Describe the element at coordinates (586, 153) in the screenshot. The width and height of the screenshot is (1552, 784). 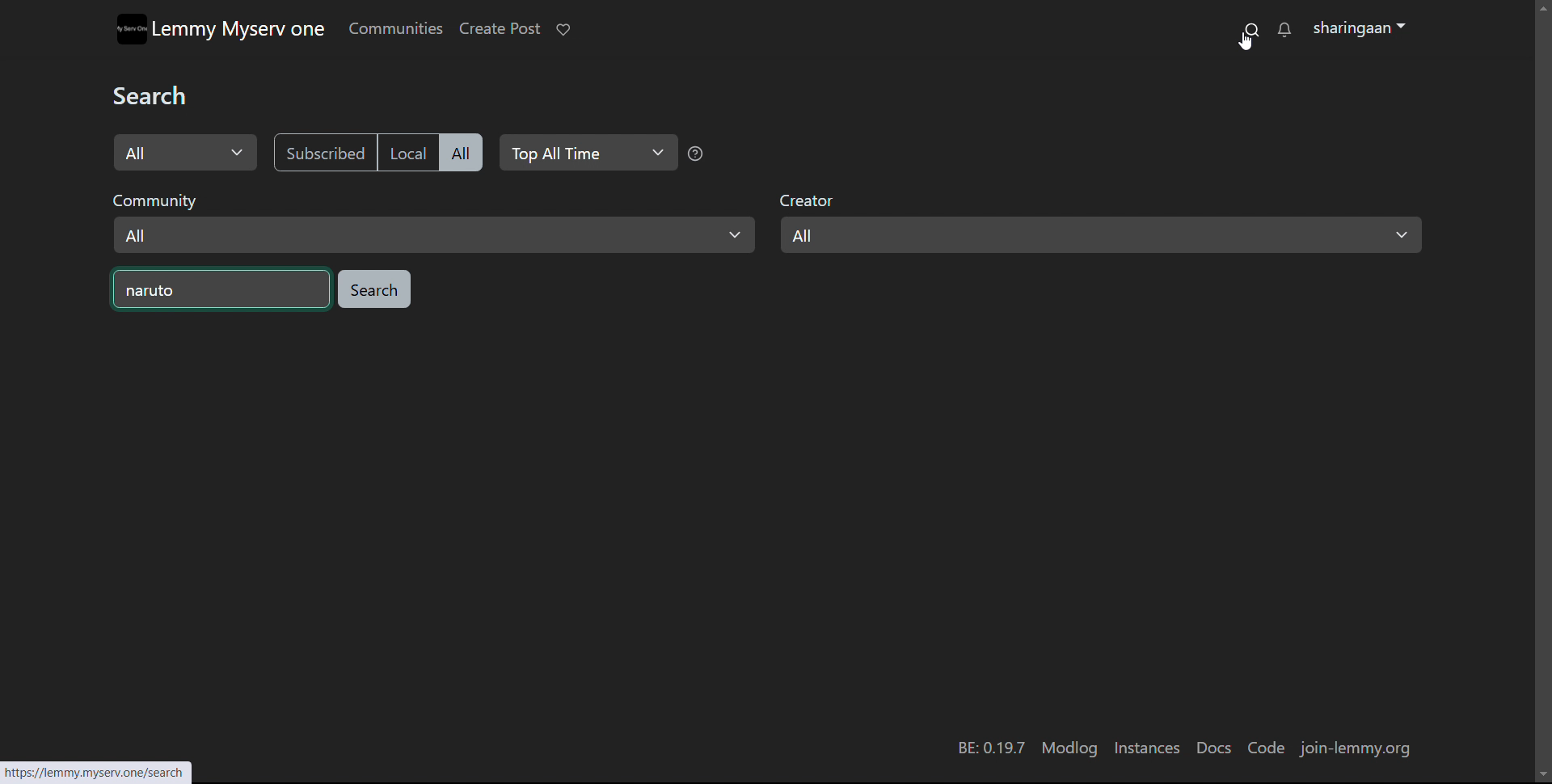
I see `select relevance` at that location.